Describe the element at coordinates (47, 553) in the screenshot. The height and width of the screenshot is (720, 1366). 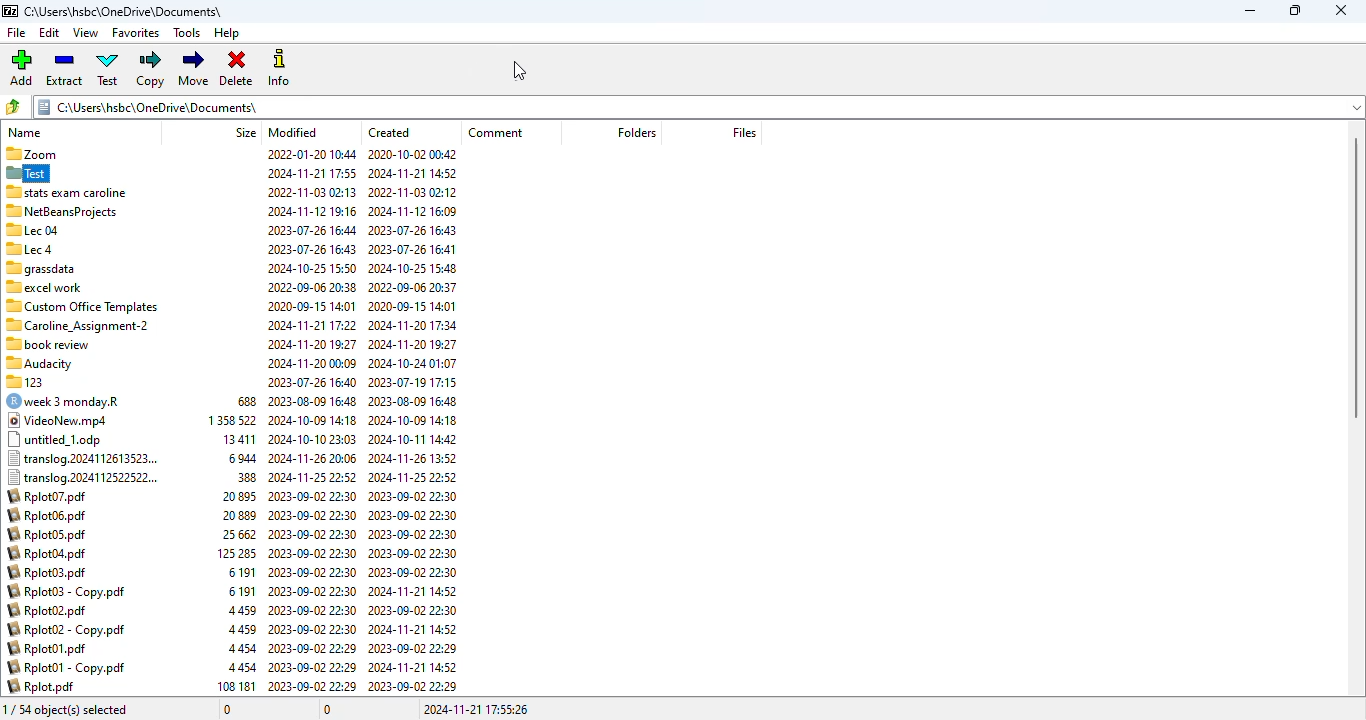
I see `Rplot04.pdf` at that location.